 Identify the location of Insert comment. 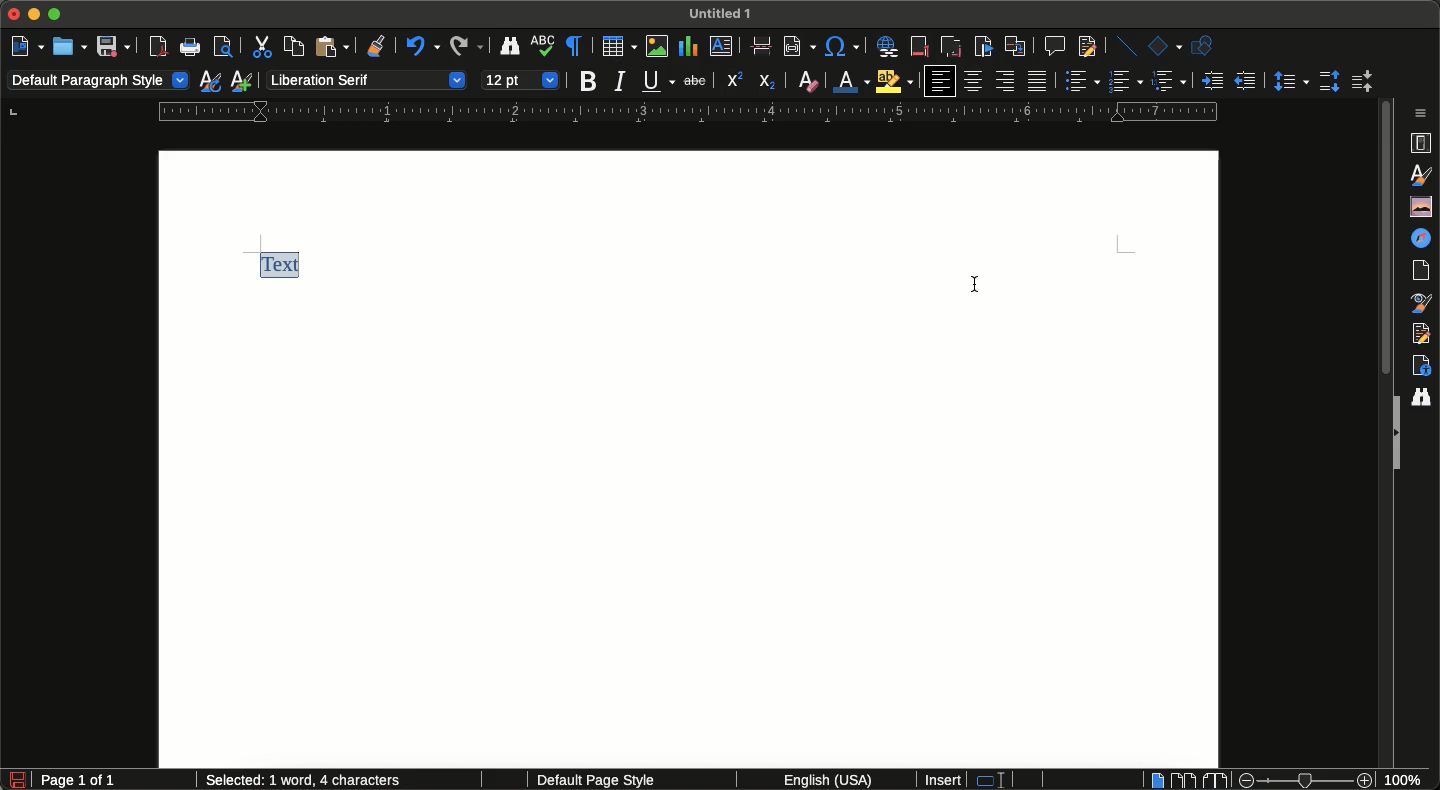
(1053, 45).